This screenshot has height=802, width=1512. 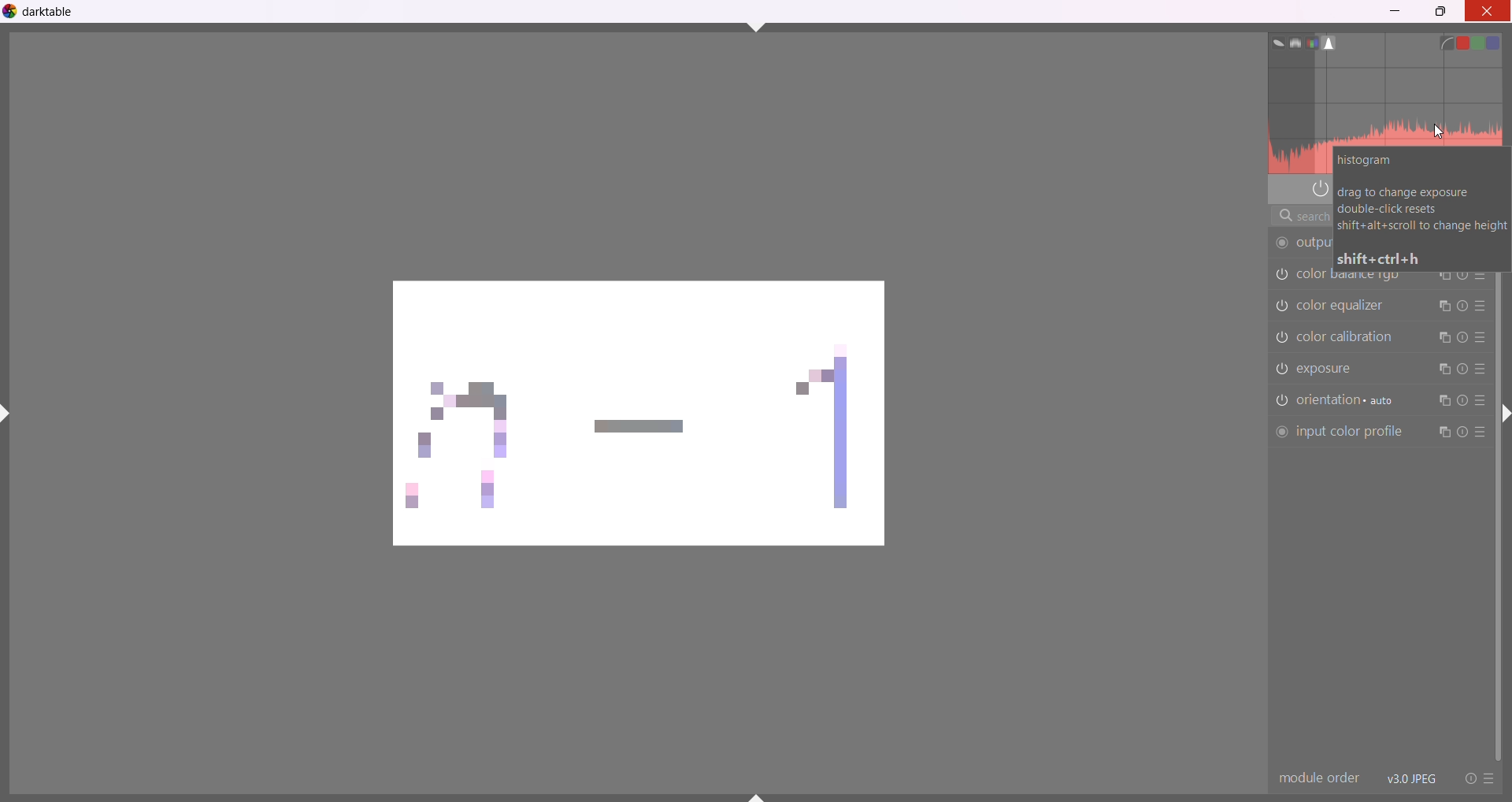 What do you see at coordinates (1462, 433) in the screenshot?
I see `reset parameter` at bounding box center [1462, 433].